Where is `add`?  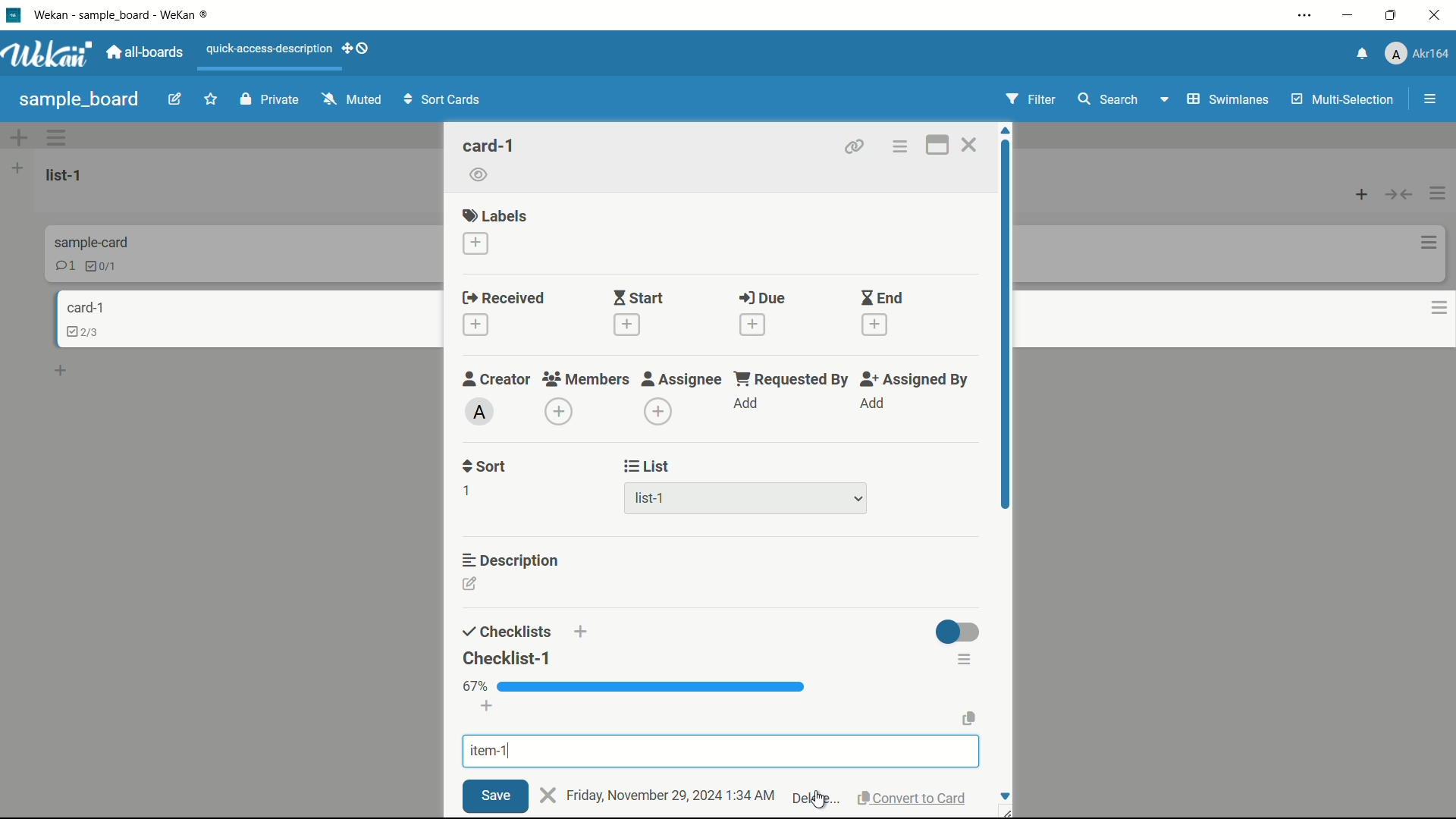
add is located at coordinates (745, 404).